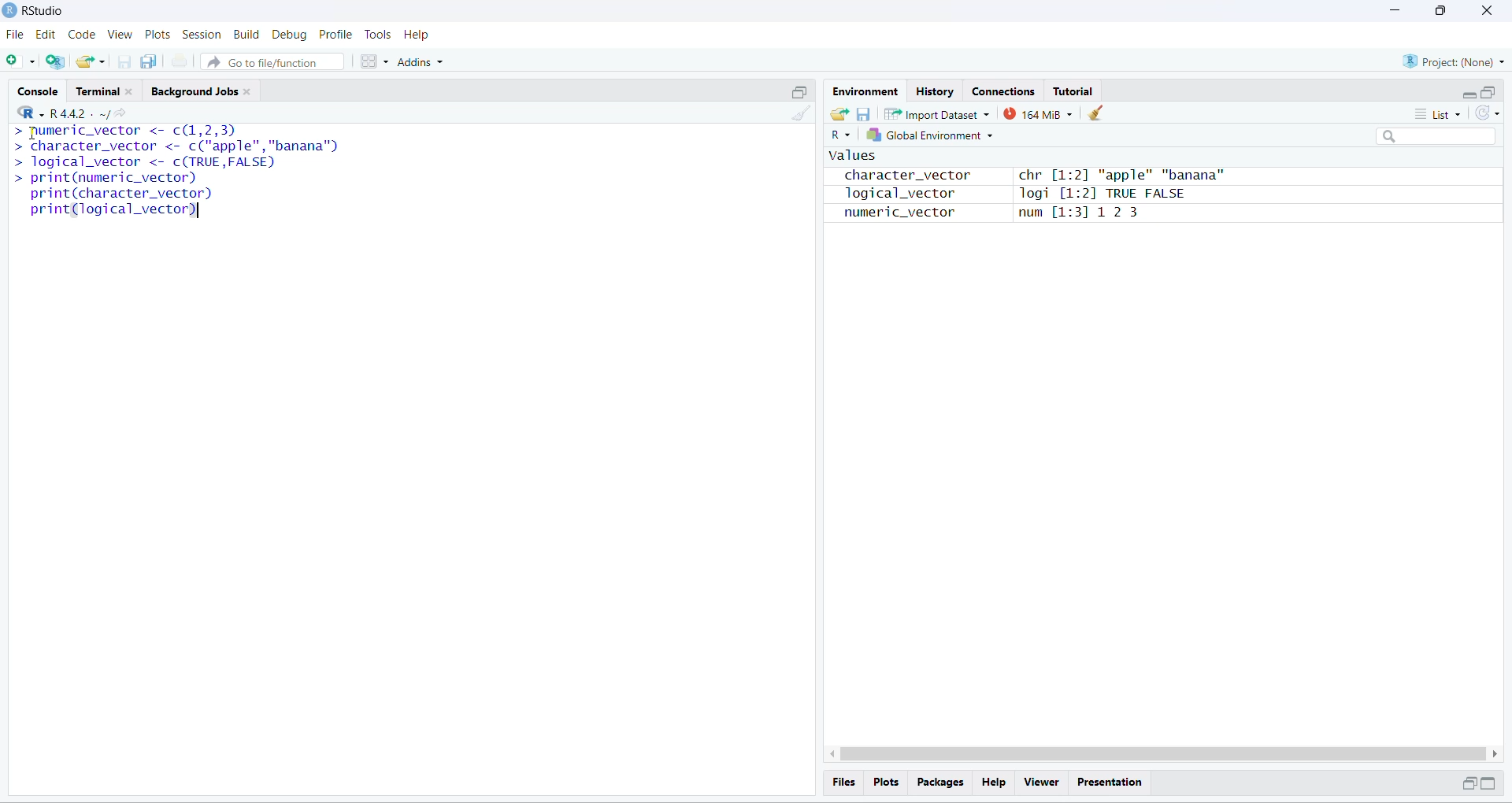  I want to click on "R442, so click(51, 113).